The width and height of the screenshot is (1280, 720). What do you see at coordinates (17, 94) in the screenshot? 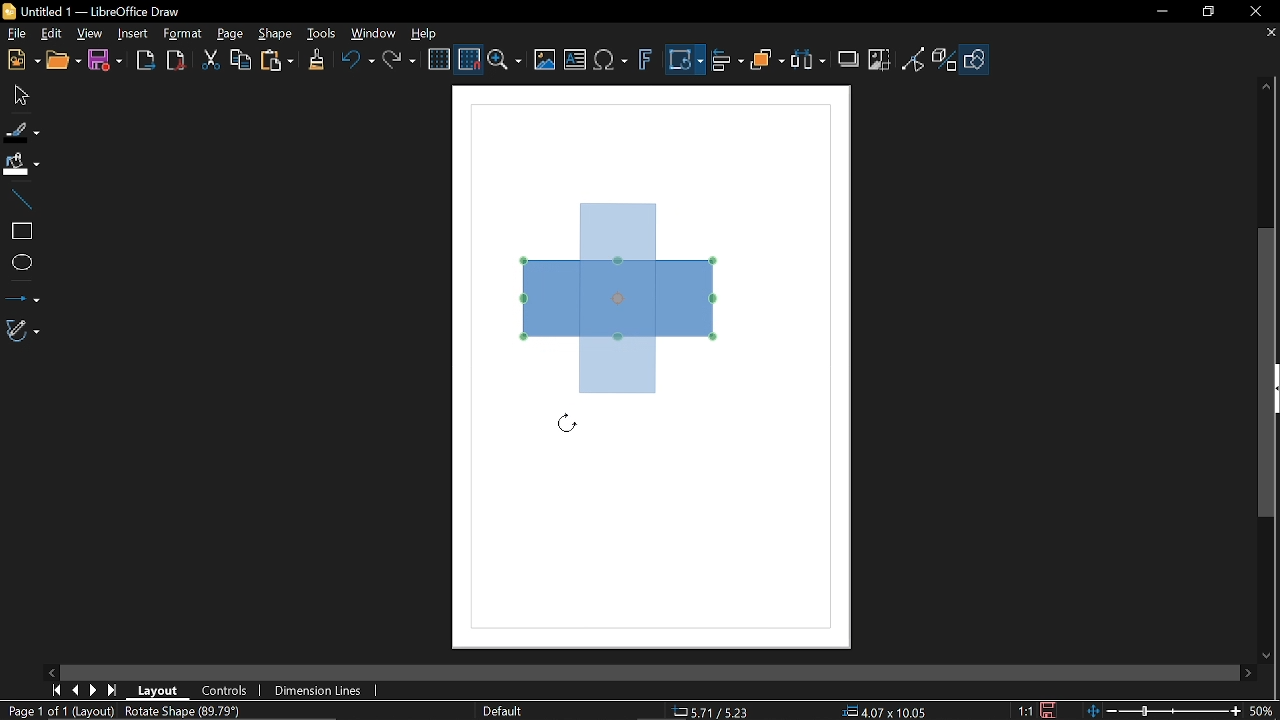
I see `Move` at bounding box center [17, 94].